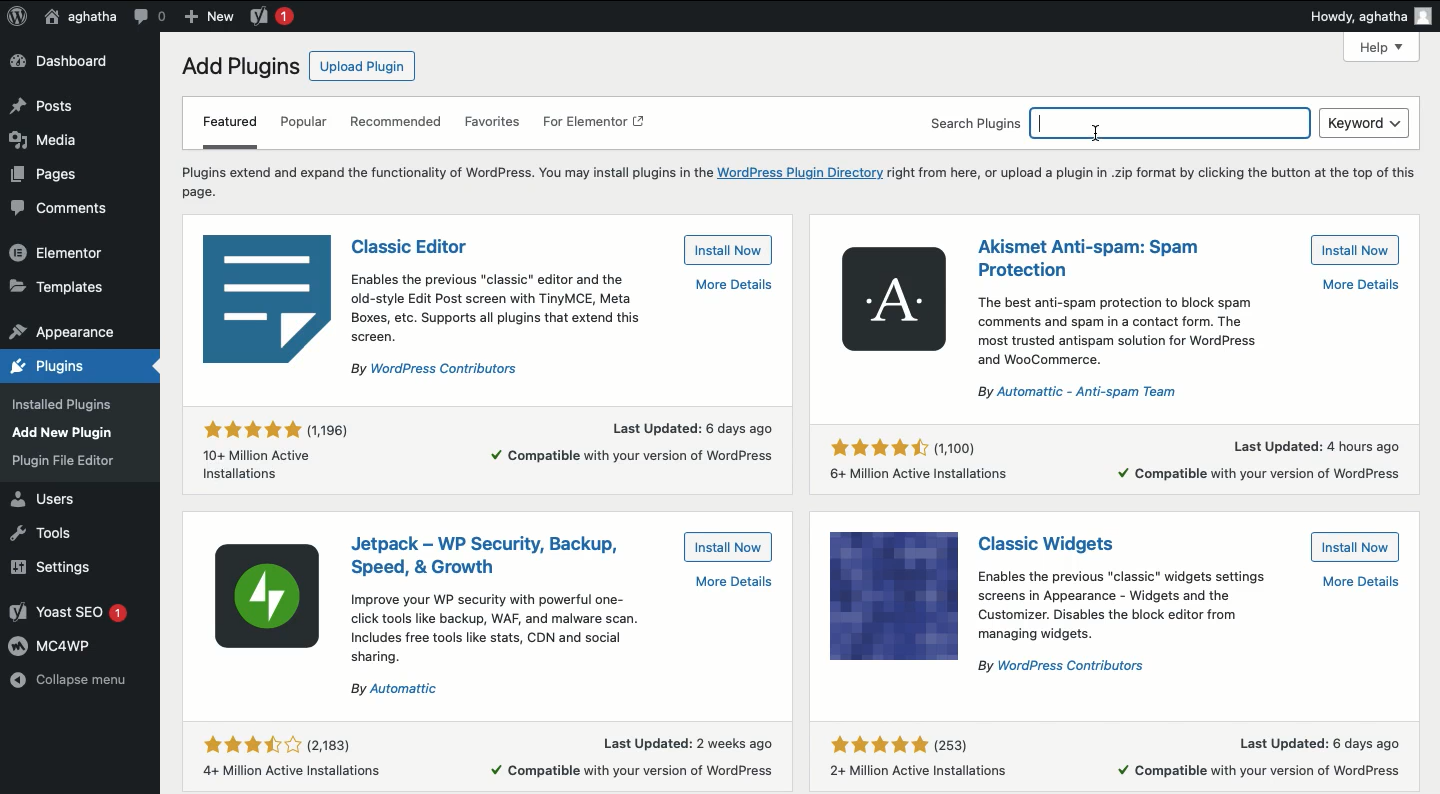 This screenshot has width=1440, height=794. I want to click on For elementor, so click(596, 125).